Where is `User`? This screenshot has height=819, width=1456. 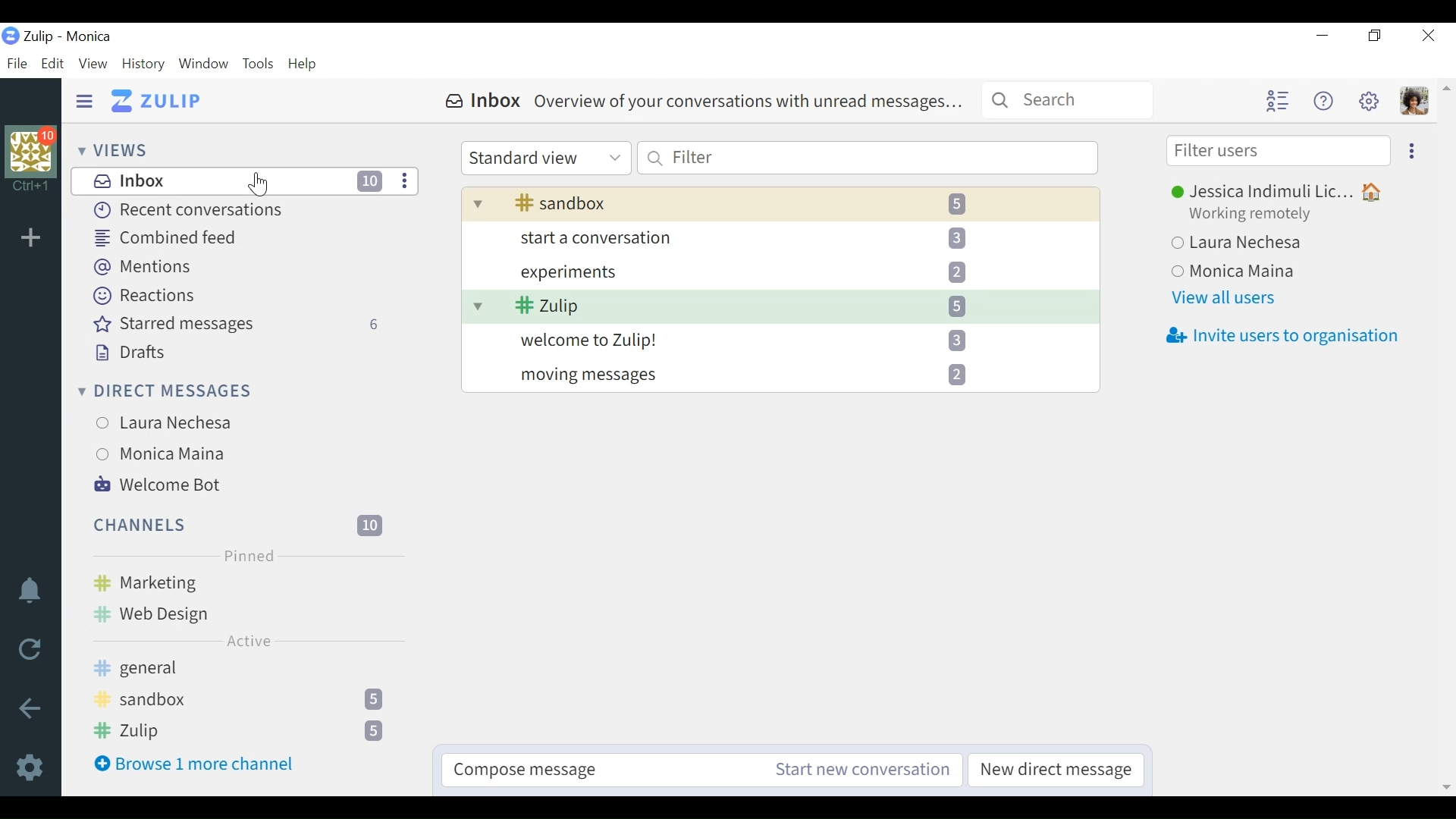 User is located at coordinates (161, 454).